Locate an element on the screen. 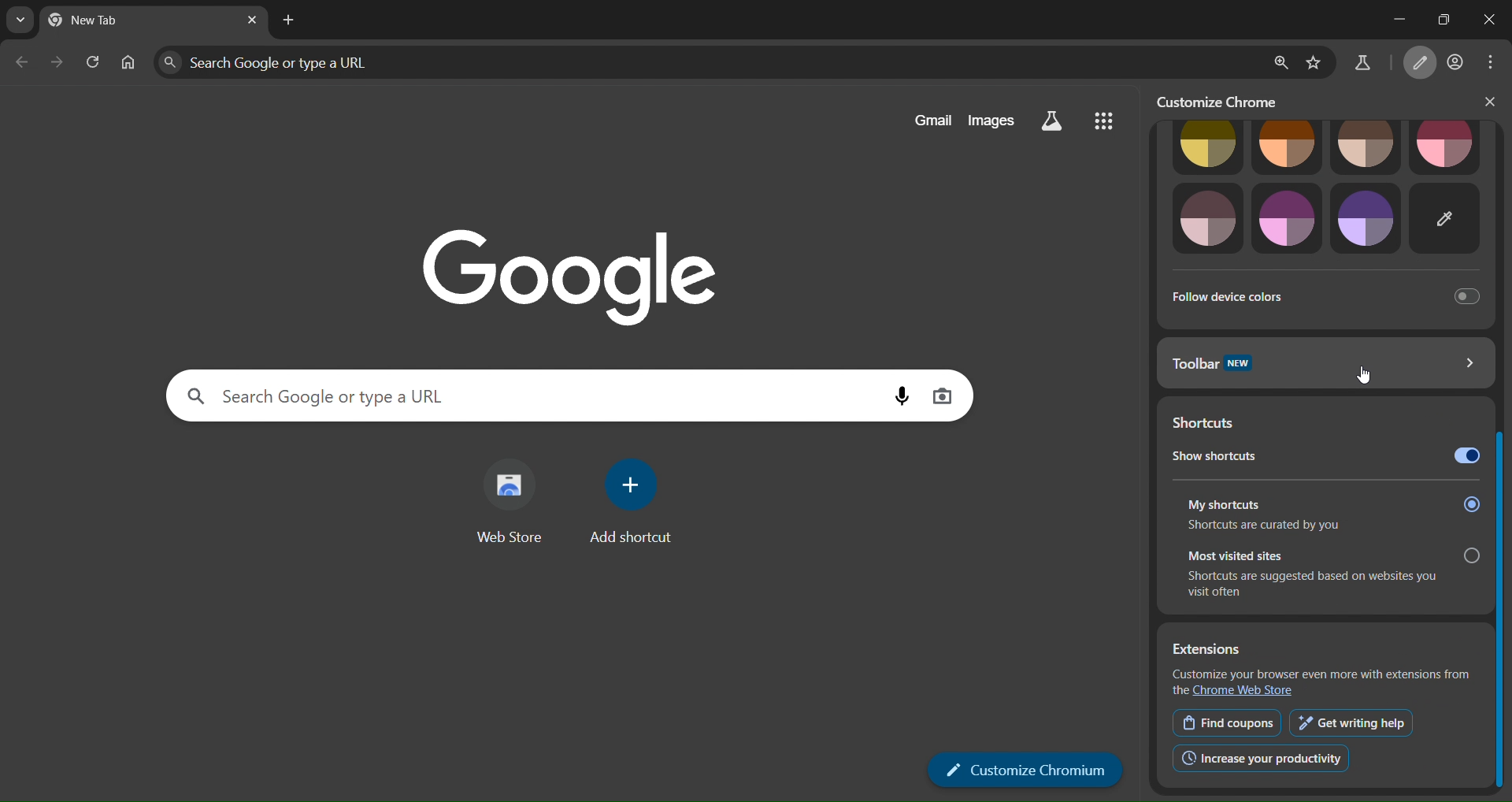  web store is located at coordinates (510, 499).